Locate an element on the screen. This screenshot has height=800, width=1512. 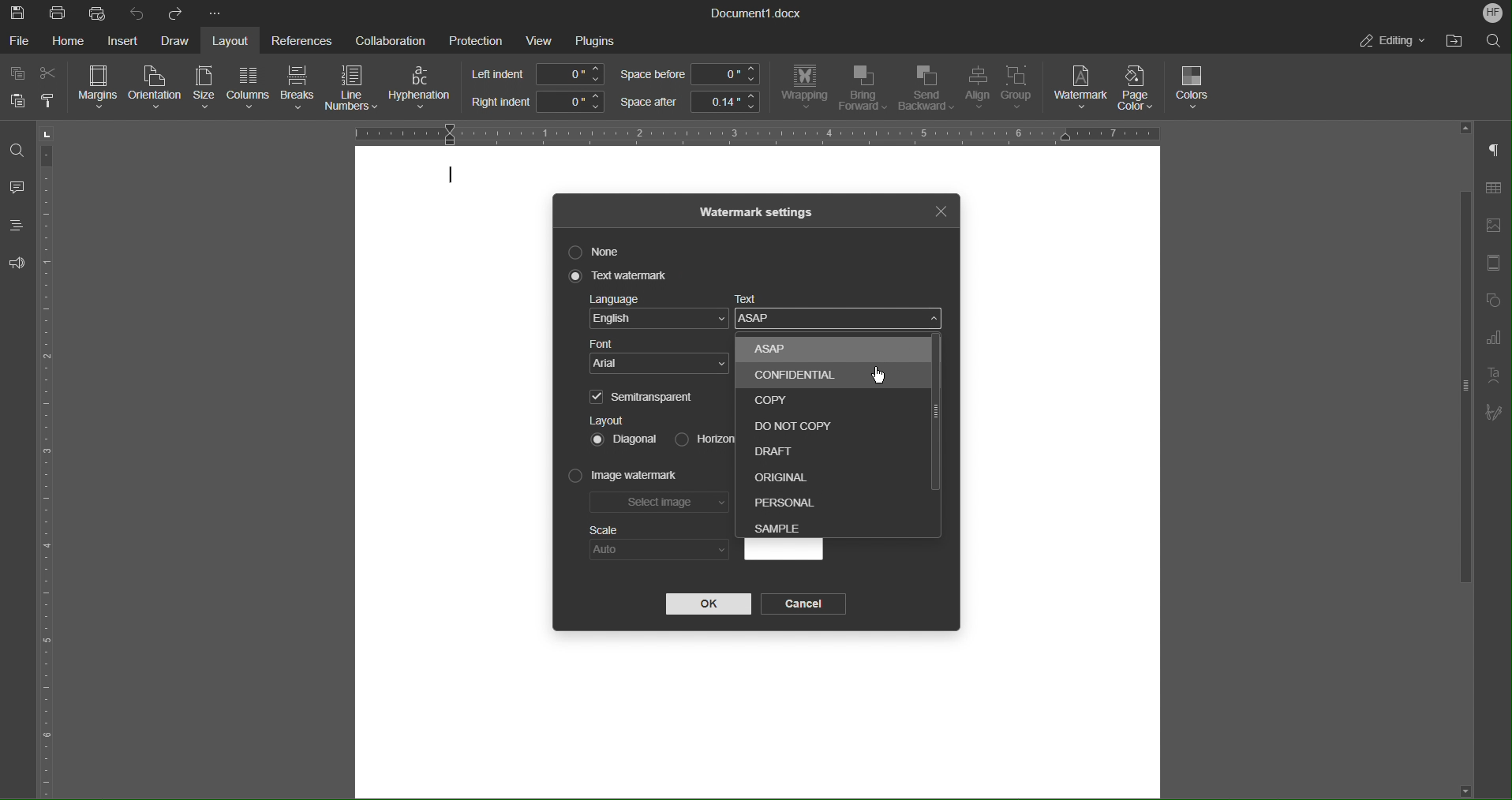
Auto is located at coordinates (659, 550).